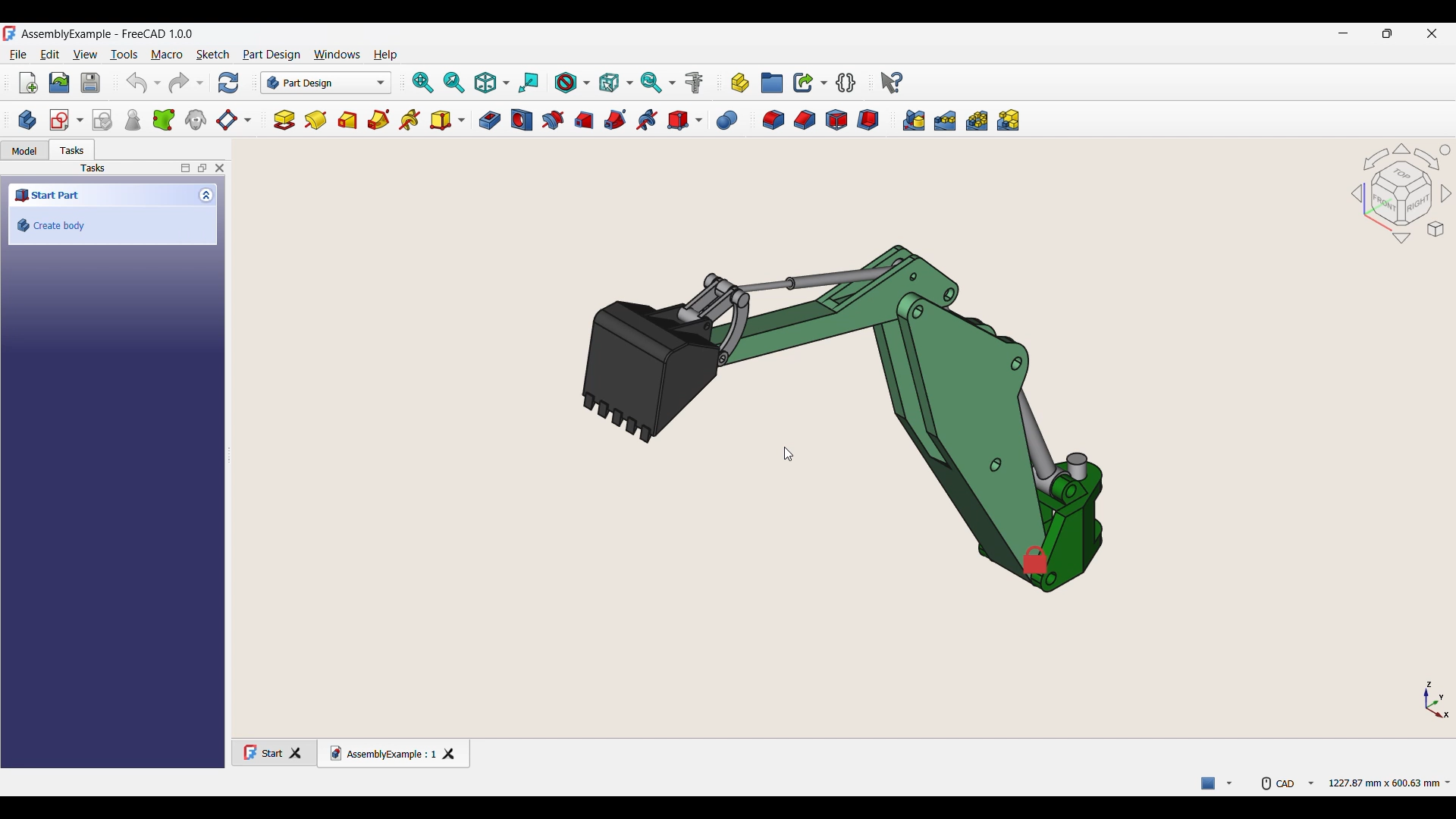 The height and width of the screenshot is (819, 1456). What do you see at coordinates (493, 83) in the screenshot?
I see `Isometric options` at bounding box center [493, 83].